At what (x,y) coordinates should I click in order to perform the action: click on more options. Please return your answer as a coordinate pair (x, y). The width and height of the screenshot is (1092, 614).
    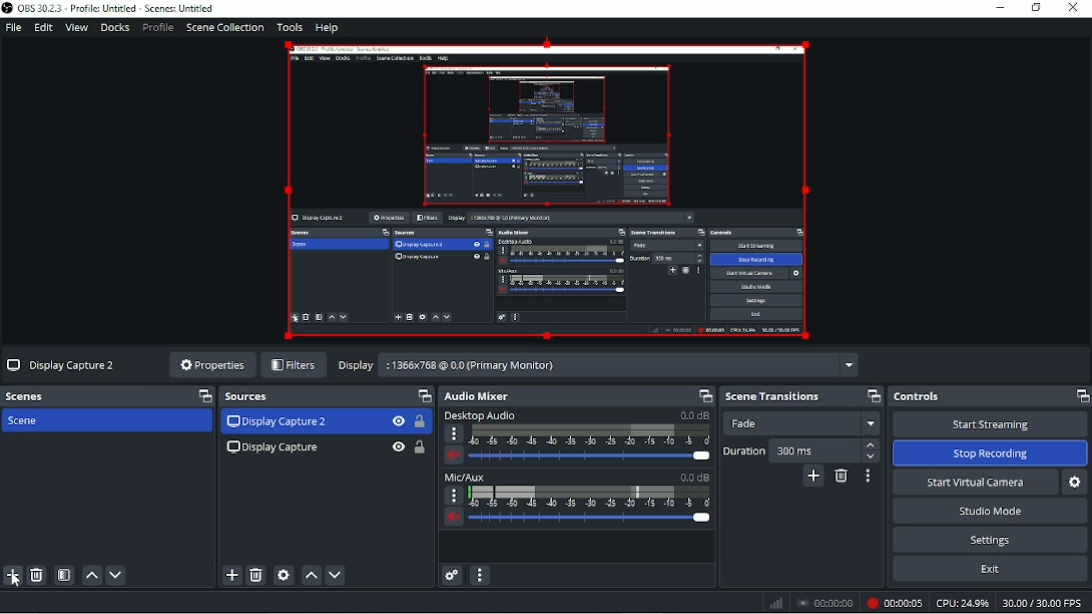
    Looking at the image, I should click on (453, 434).